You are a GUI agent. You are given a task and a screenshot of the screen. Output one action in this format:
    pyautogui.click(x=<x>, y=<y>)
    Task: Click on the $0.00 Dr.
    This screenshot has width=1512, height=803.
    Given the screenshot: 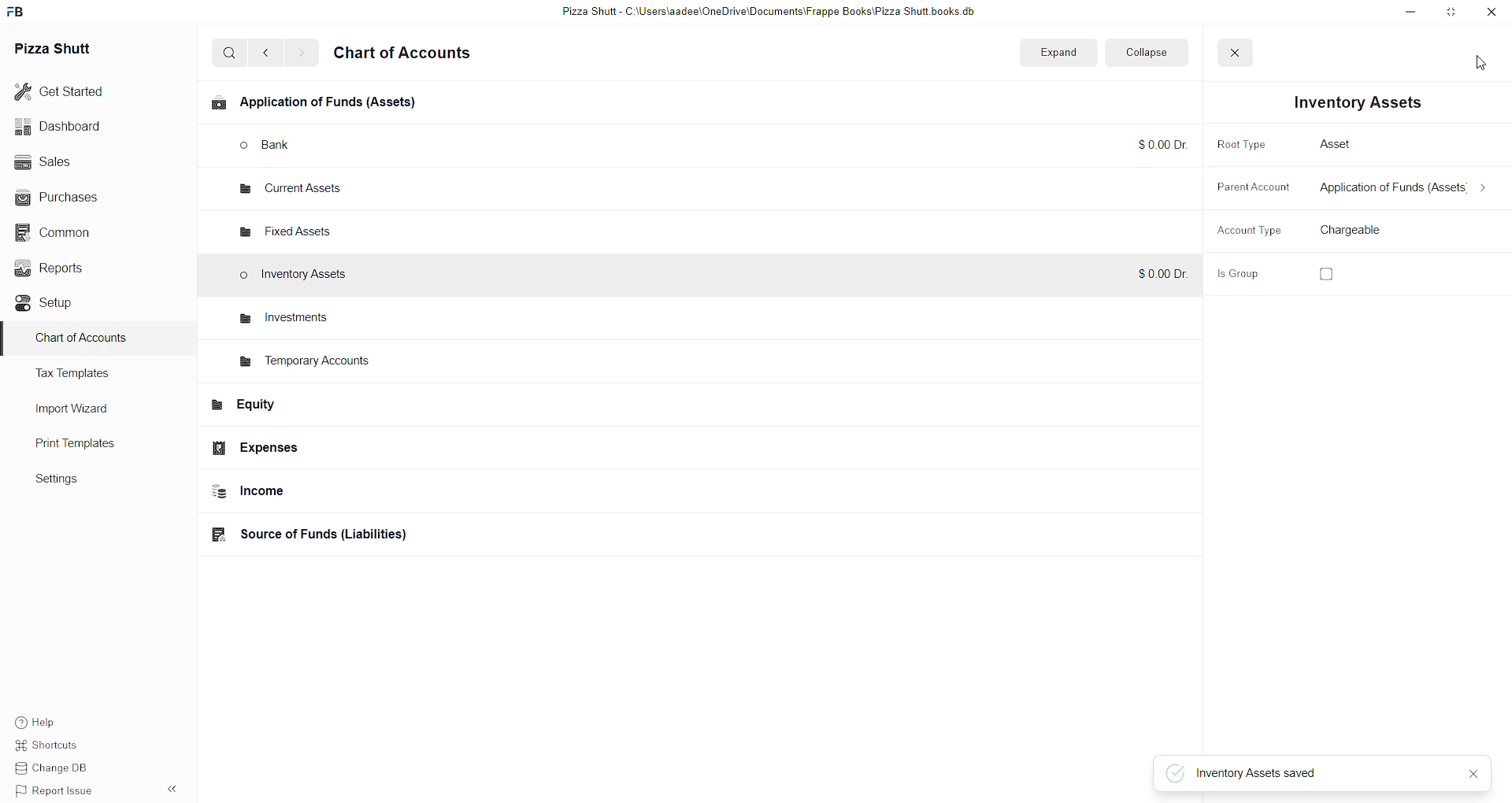 What is the action you would take?
    pyautogui.click(x=1155, y=145)
    